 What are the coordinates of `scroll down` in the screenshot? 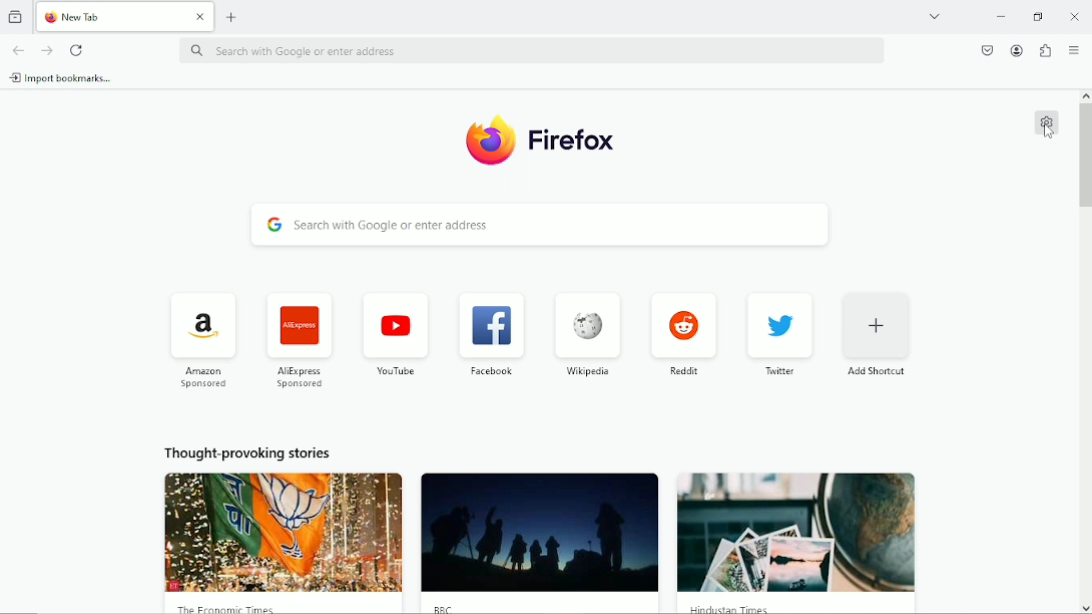 It's located at (1085, 607).